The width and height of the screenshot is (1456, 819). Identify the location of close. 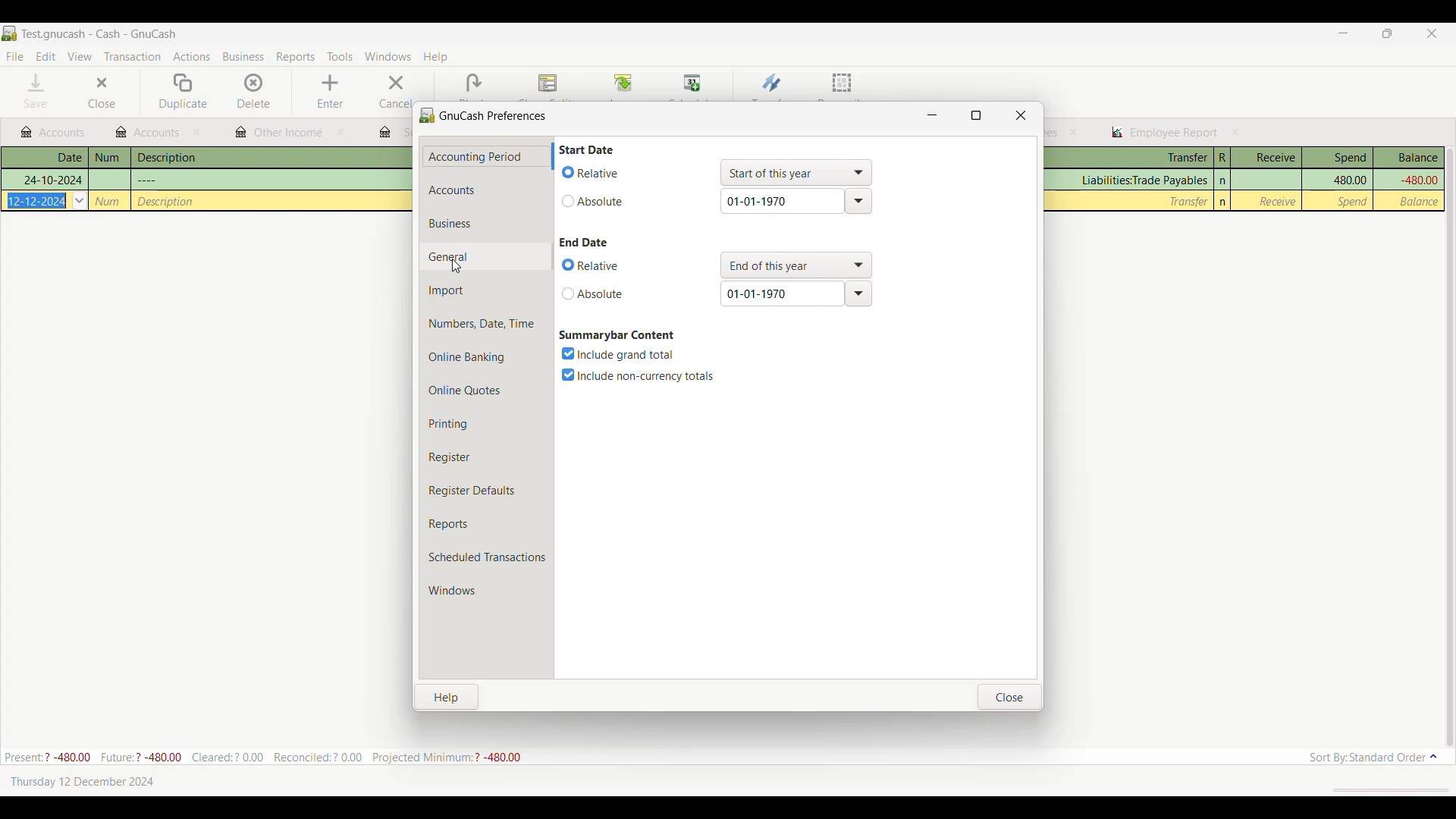
(199, 133).